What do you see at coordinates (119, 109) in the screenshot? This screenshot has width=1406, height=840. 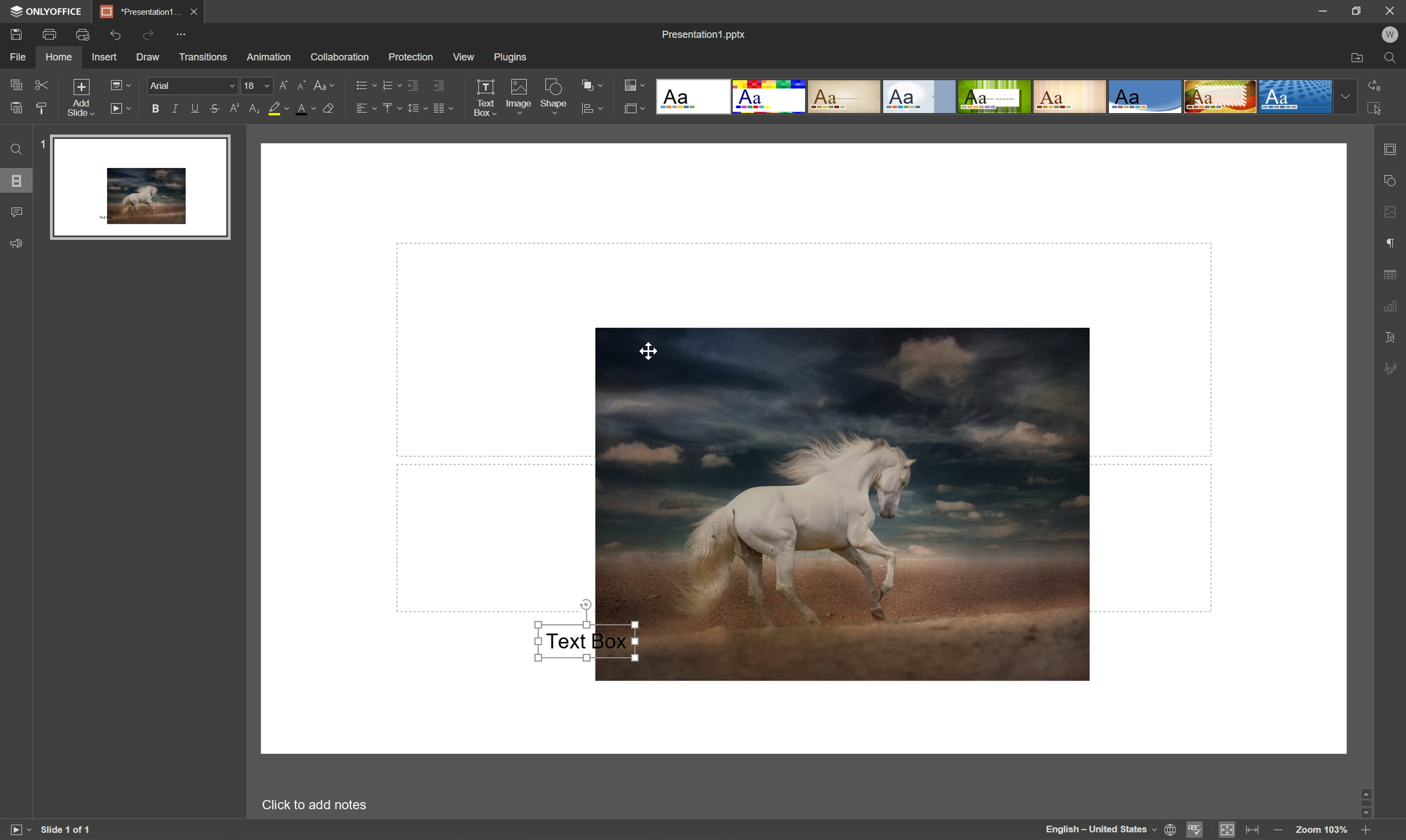 I see `Start slideshow` at bounding box center [119, 109].